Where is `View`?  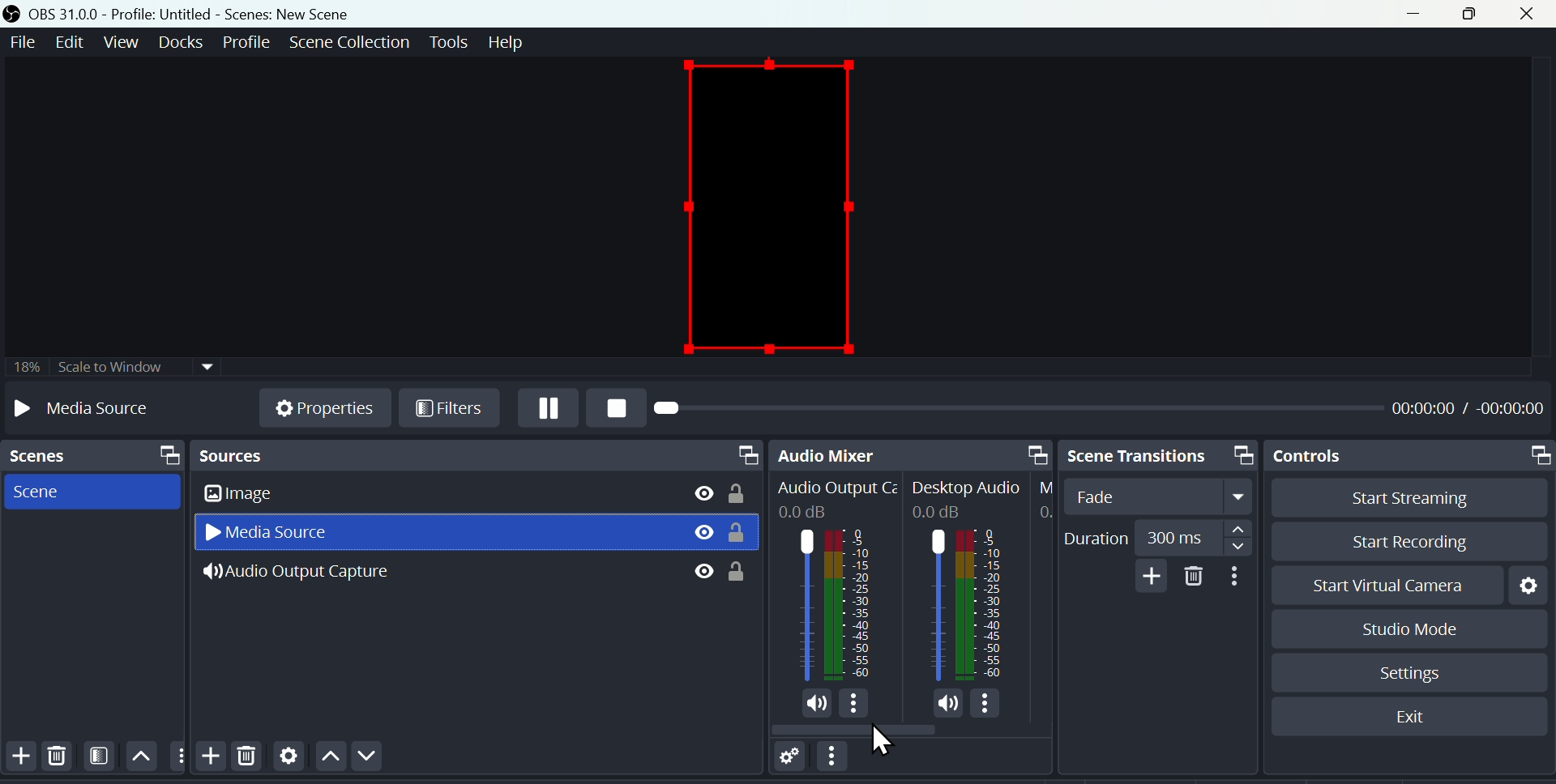
View is located at coordinates (121, 41).